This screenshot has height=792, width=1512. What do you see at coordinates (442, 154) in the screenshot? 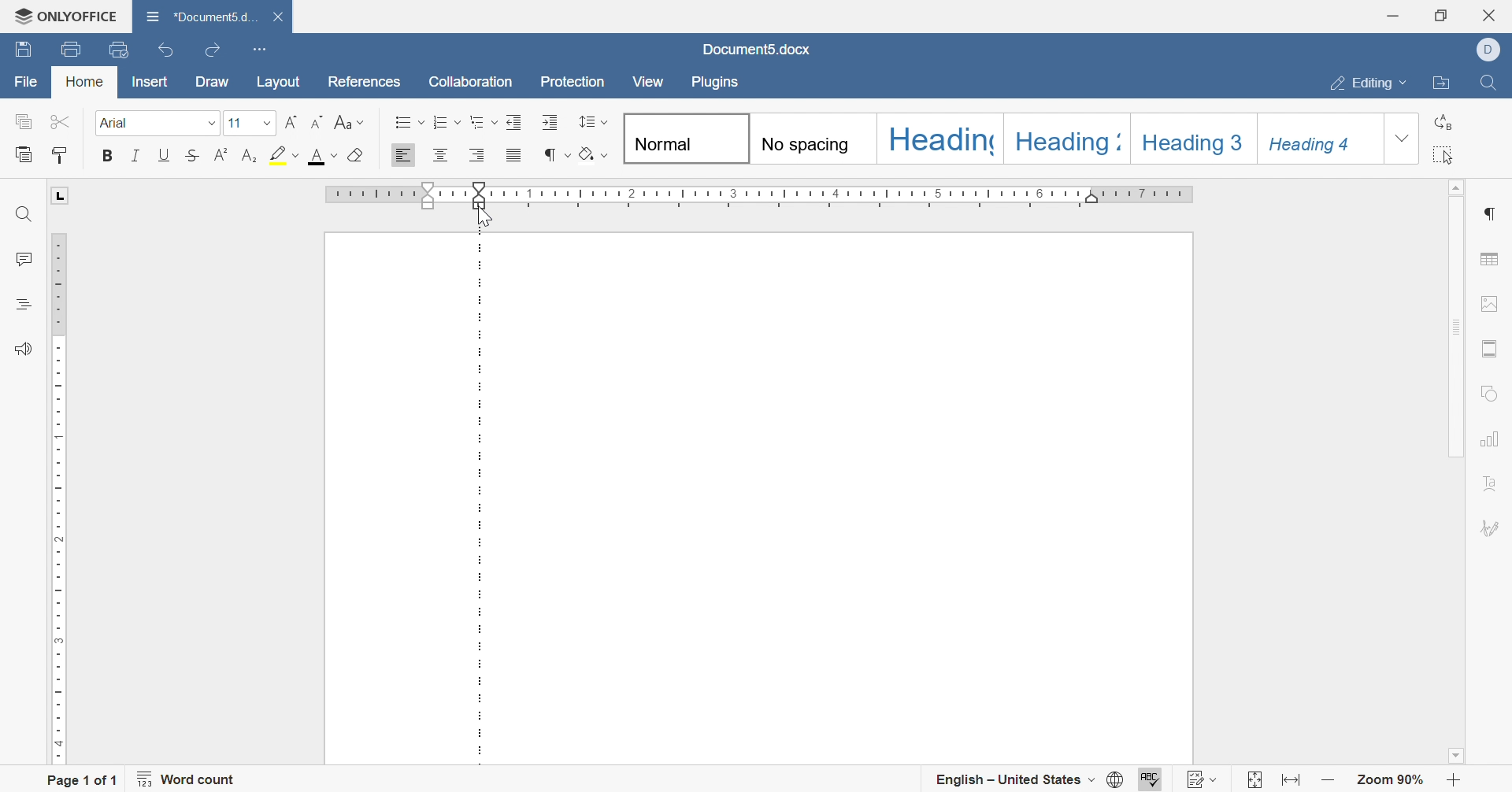
I see `Align center` at bounding box center [442, 154].